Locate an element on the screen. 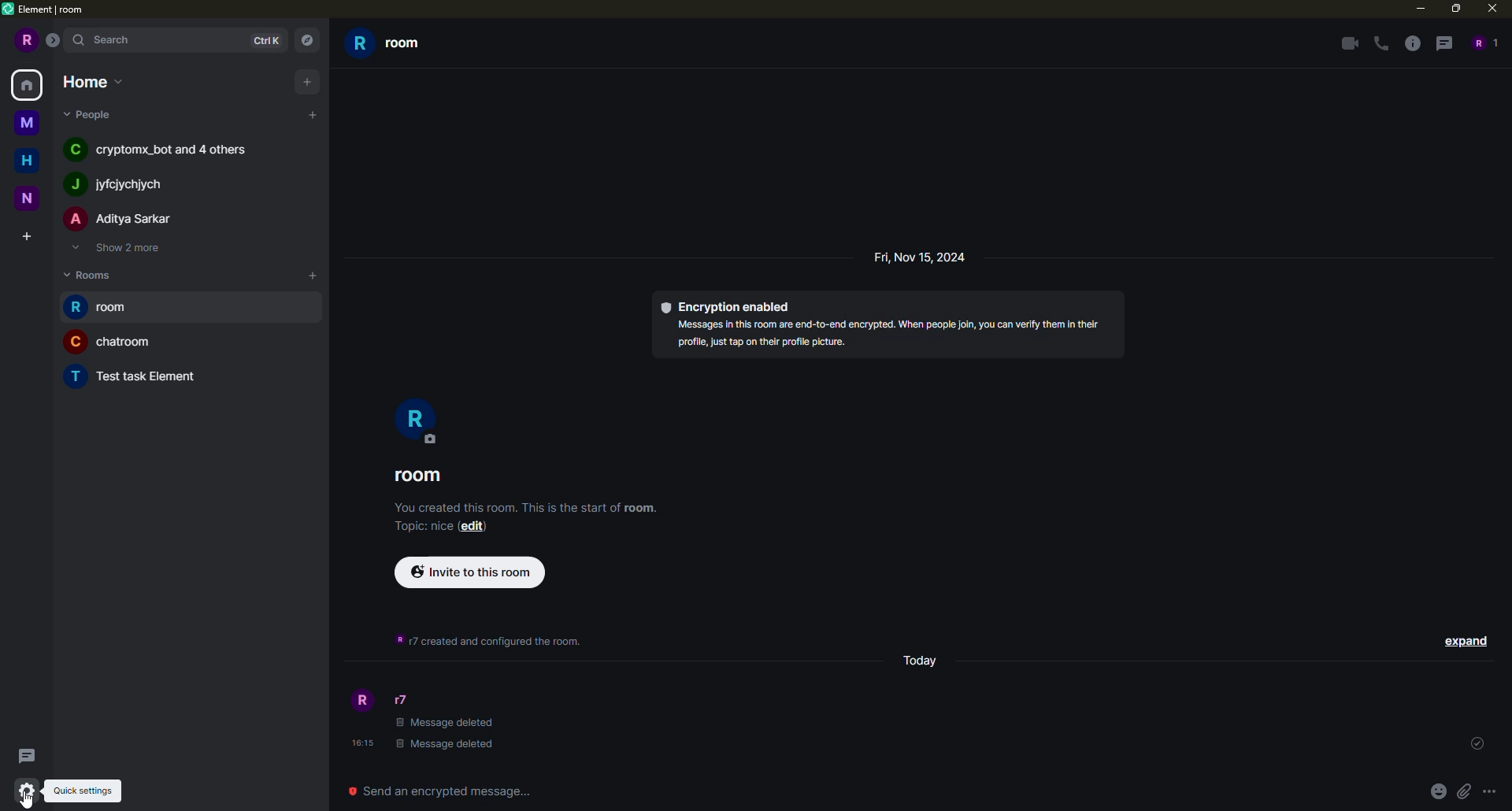 This screenshot has width=1512, height=811. info is located at coordinates (531, 505).